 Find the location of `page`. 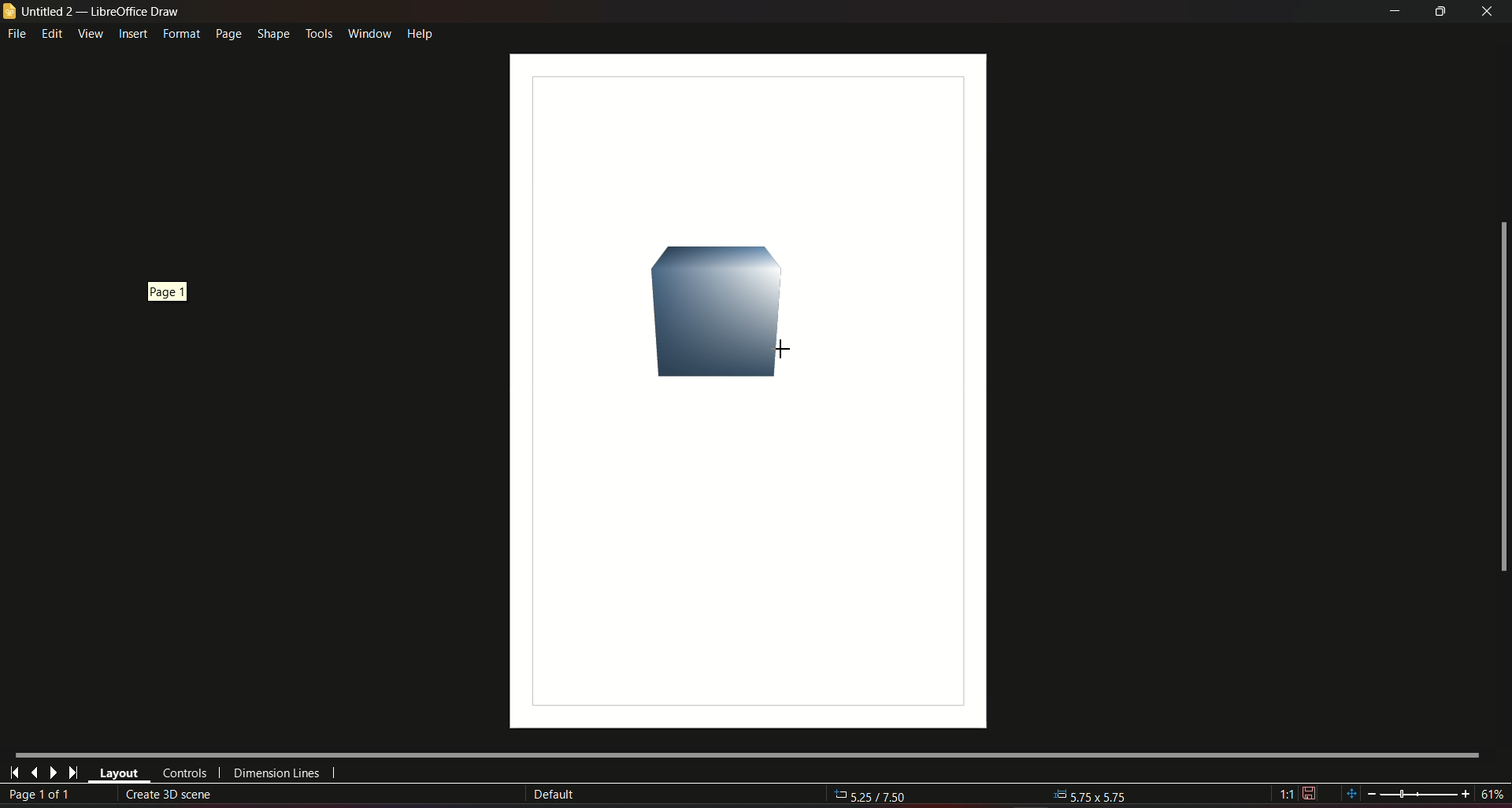

page is located at coordinates (227, 34).